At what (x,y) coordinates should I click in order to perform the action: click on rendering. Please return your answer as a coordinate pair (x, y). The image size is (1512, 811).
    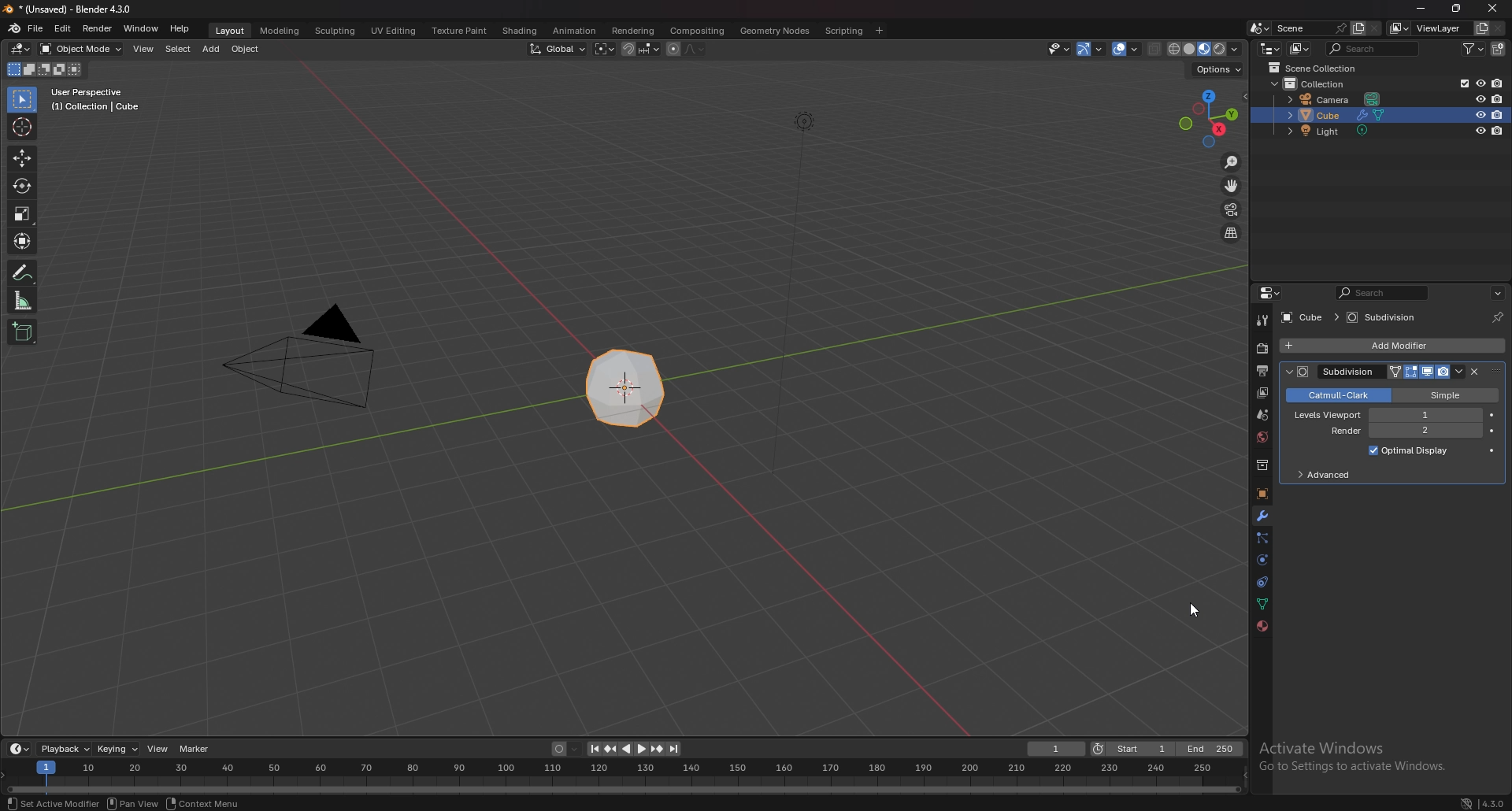
    Looking at the image, I should click on (633, 31).